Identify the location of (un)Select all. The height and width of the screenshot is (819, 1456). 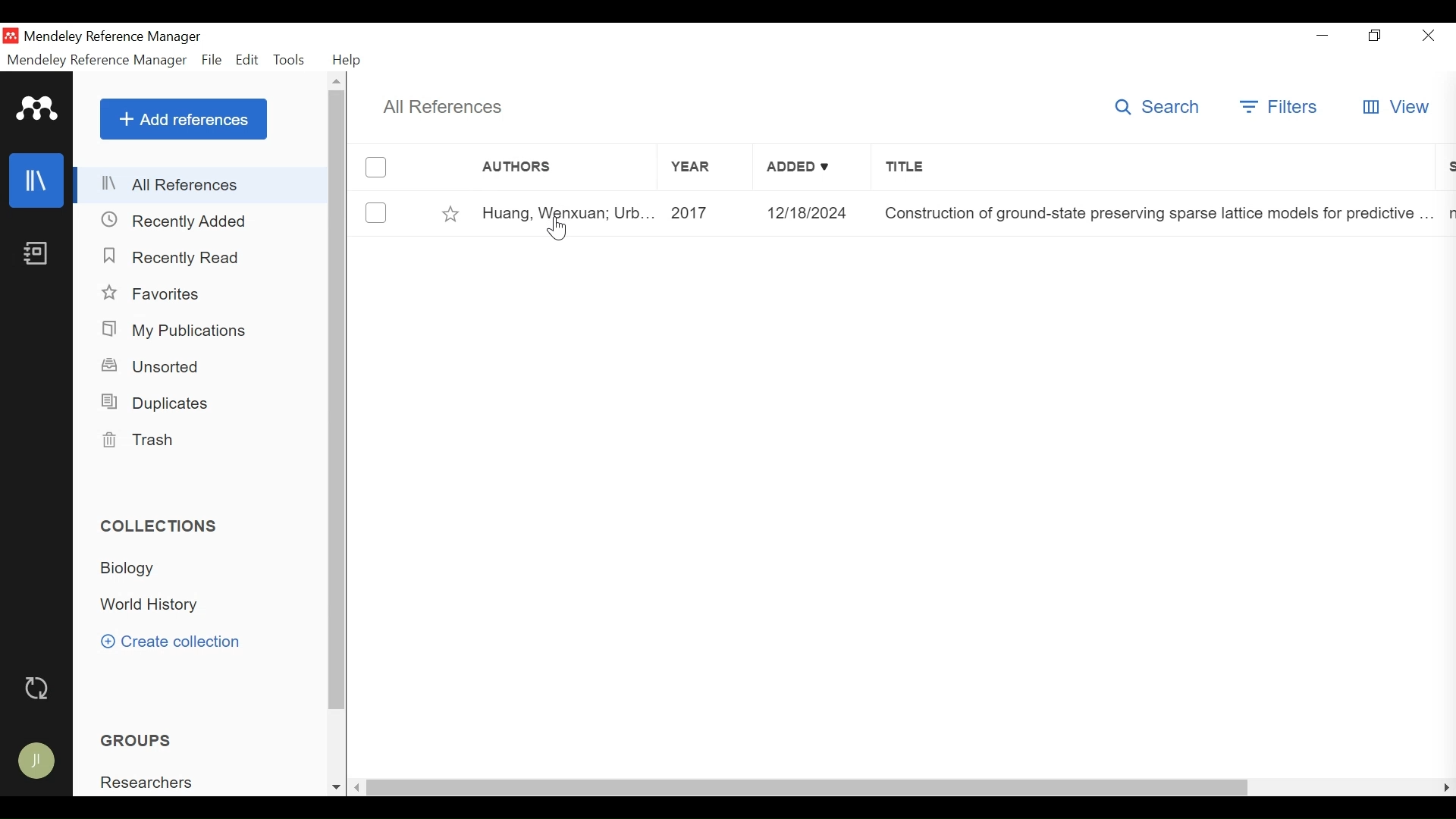
(376, 168).